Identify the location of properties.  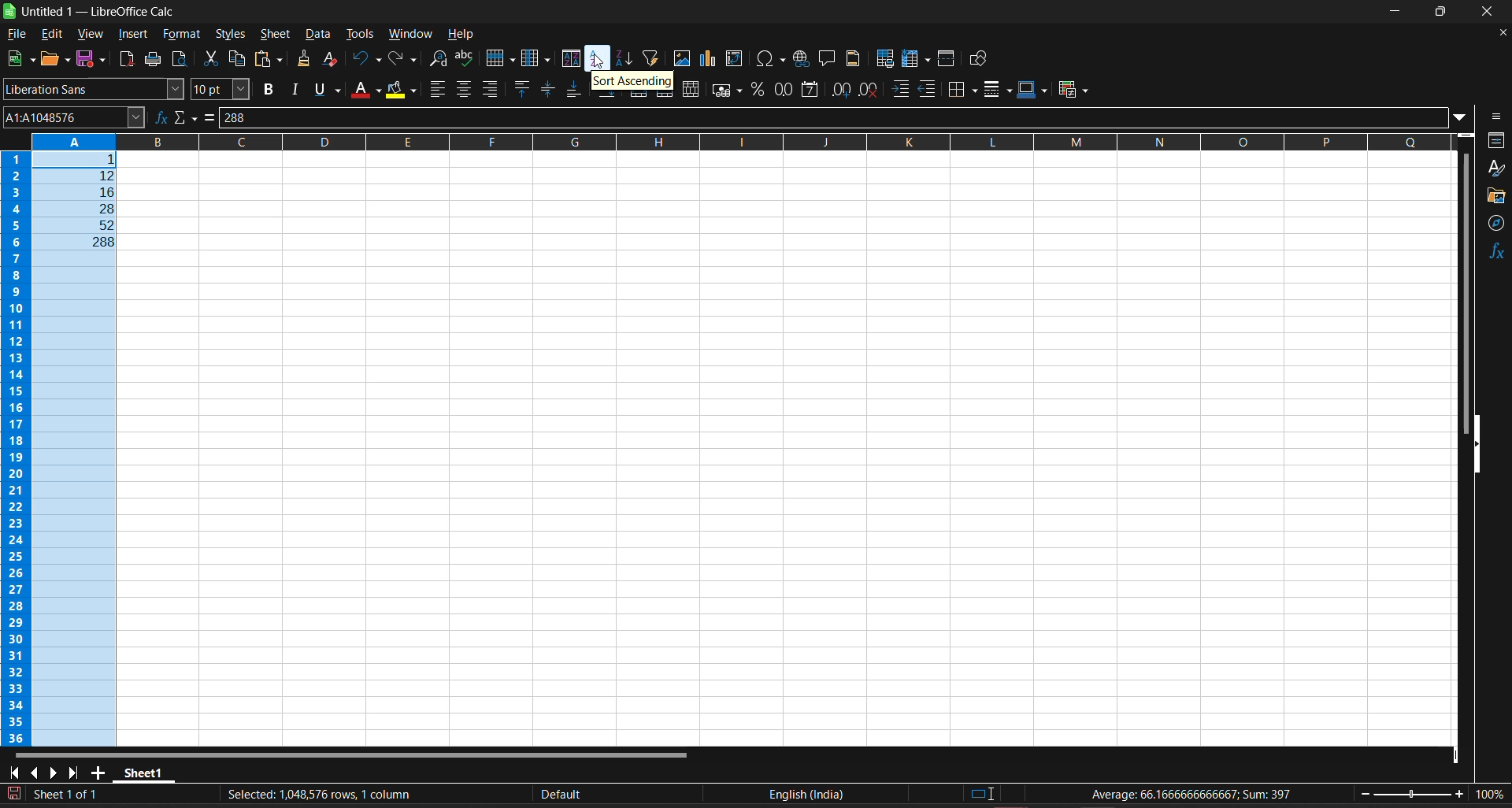
(1496, 139).